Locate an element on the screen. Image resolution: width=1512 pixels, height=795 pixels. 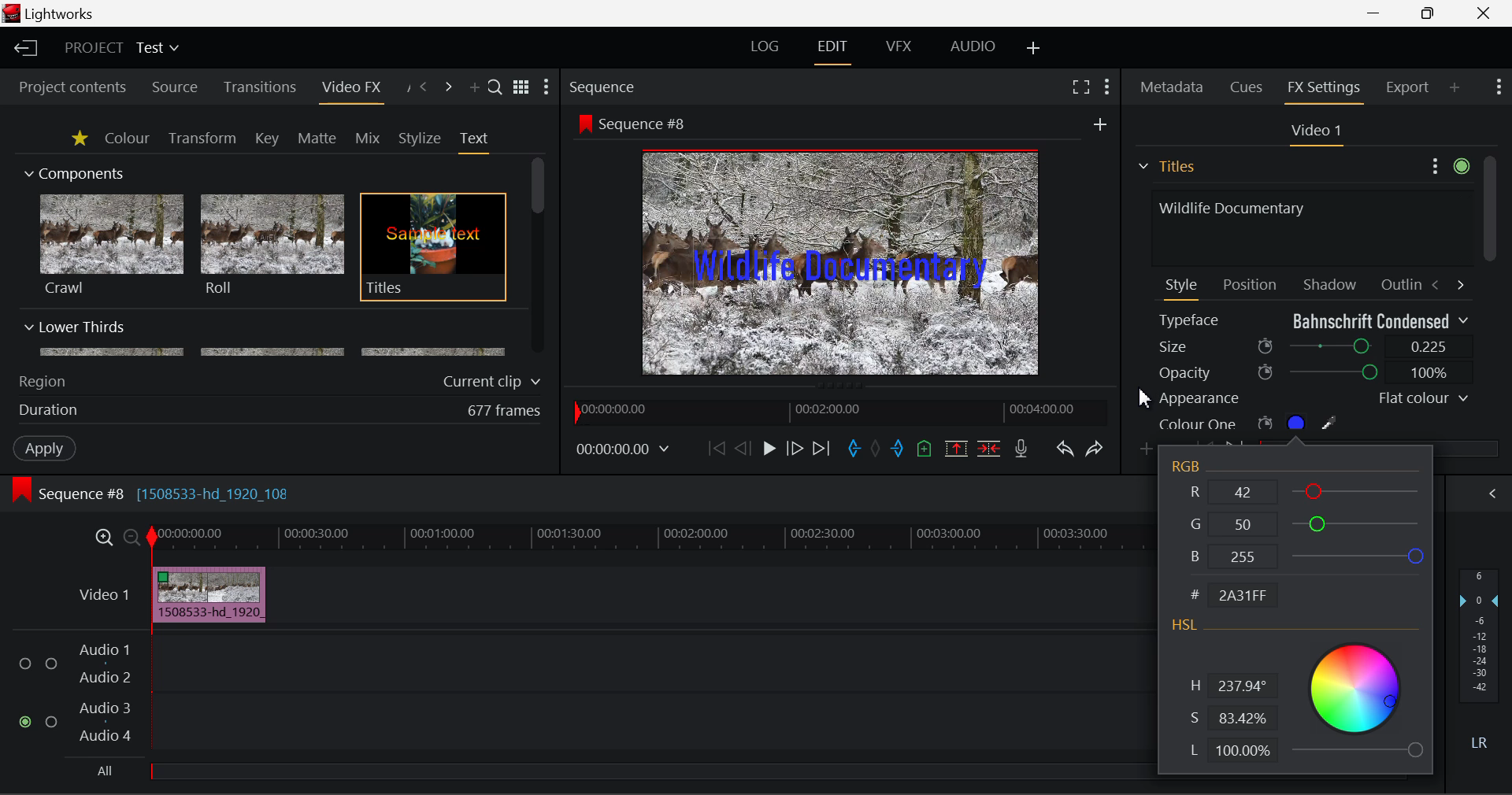
Source is located at coordinates (175, 89).